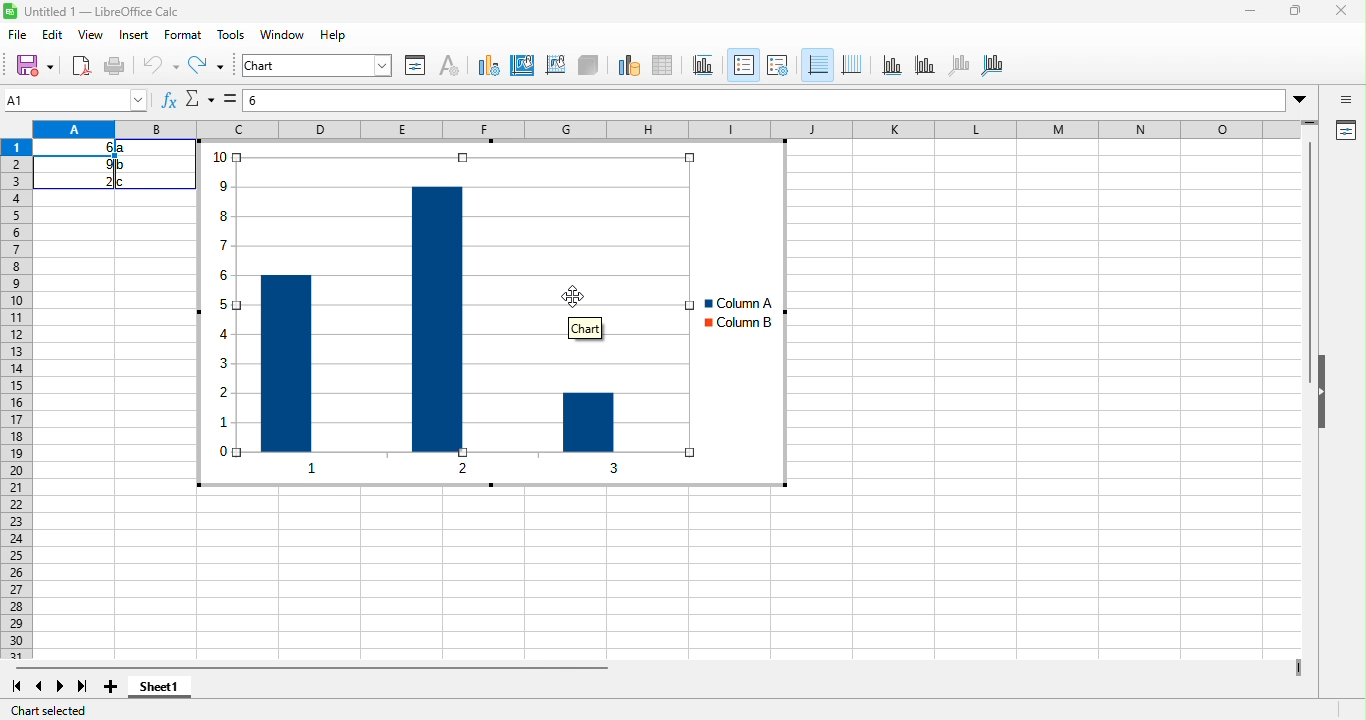  Describe the element at coordinates (98, 182) in the screenshot. I see `2` at that location.